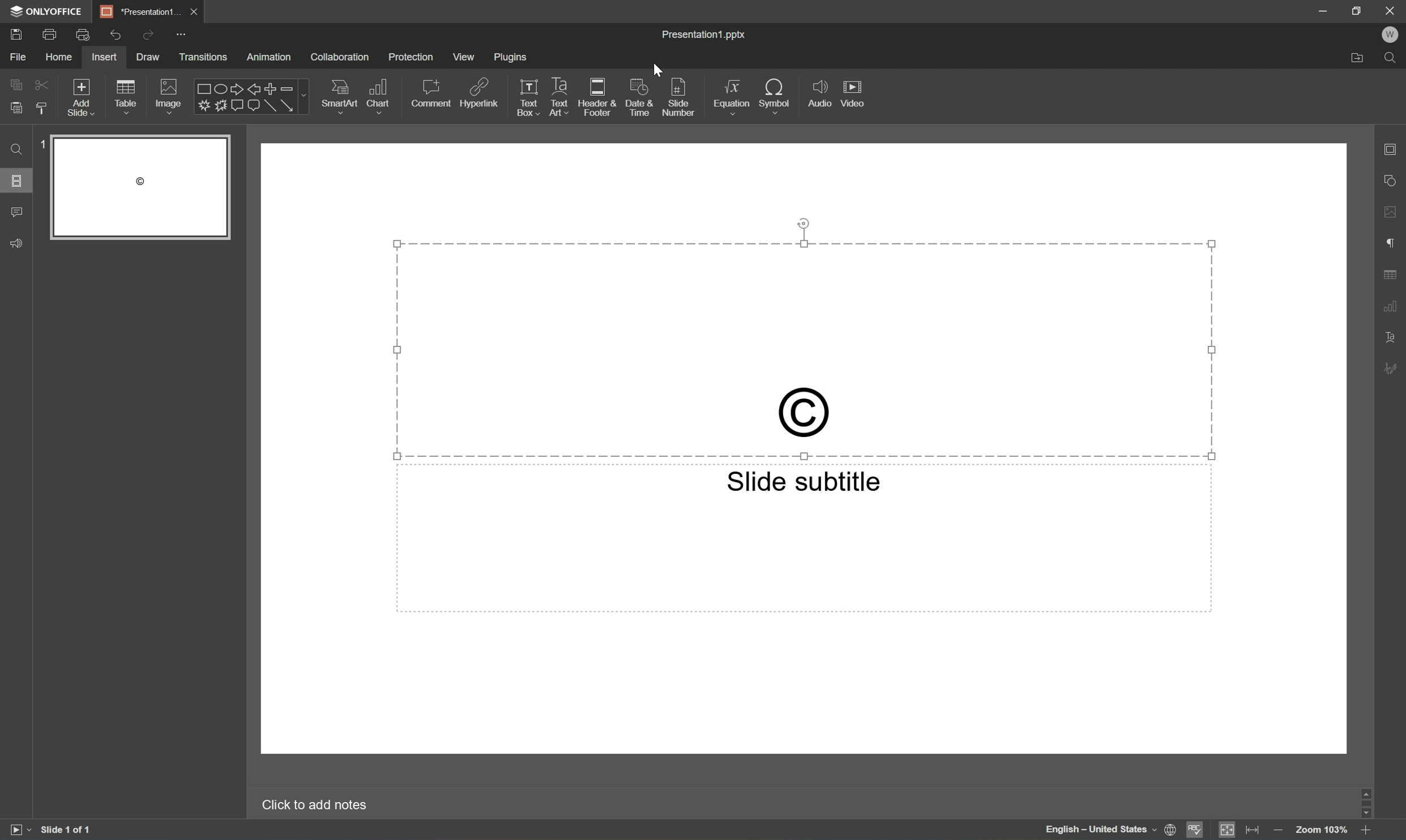  I want to click on Slide subtitle, so click(804, 481).